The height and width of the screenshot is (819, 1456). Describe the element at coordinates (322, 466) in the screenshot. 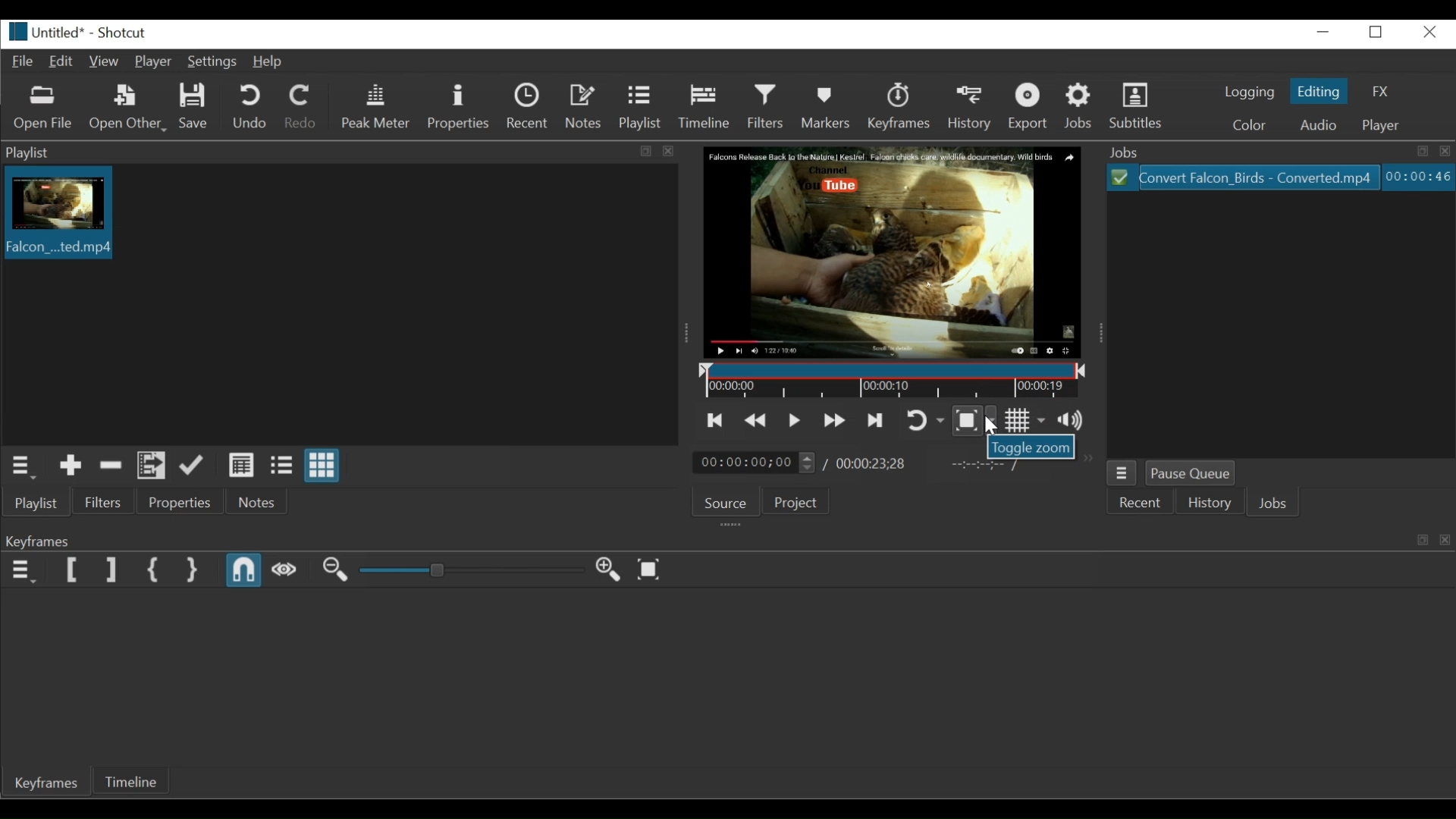

I see `View as icons` at that location.